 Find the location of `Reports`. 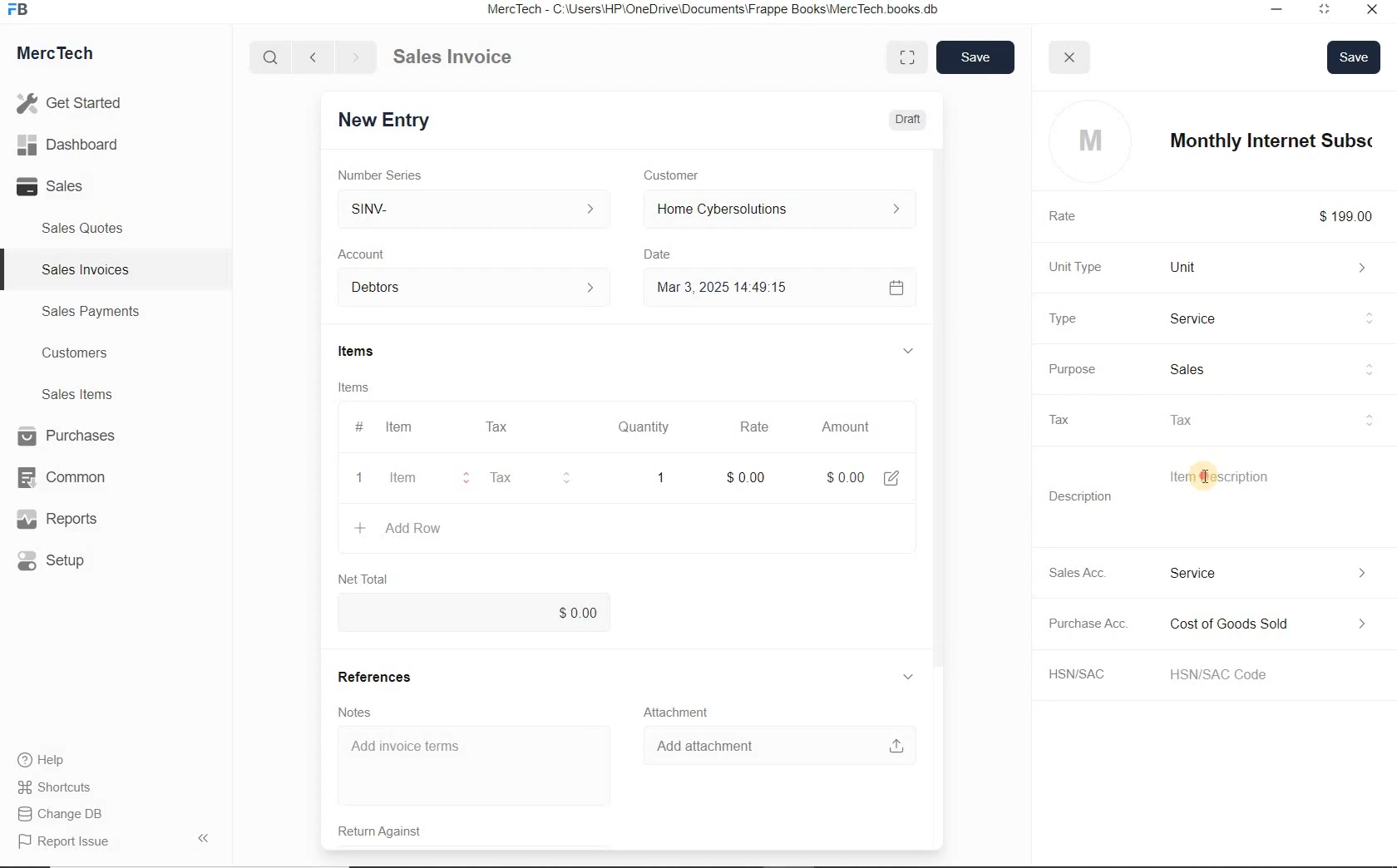

Reports is located at coordinates (70, 520).